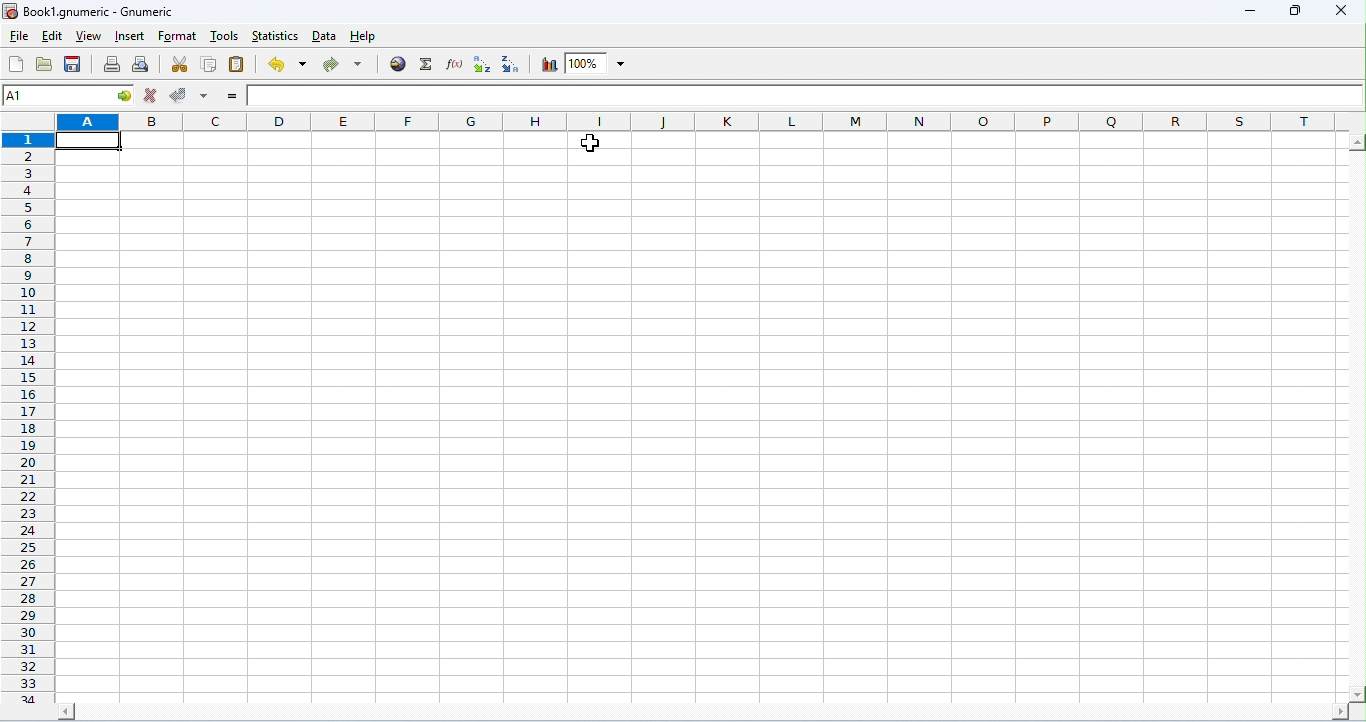 The width and height of the screenshot is (1366, 722). Describe the element at coordinates (181, 96) in the screenshot. I see `accept` at that location.